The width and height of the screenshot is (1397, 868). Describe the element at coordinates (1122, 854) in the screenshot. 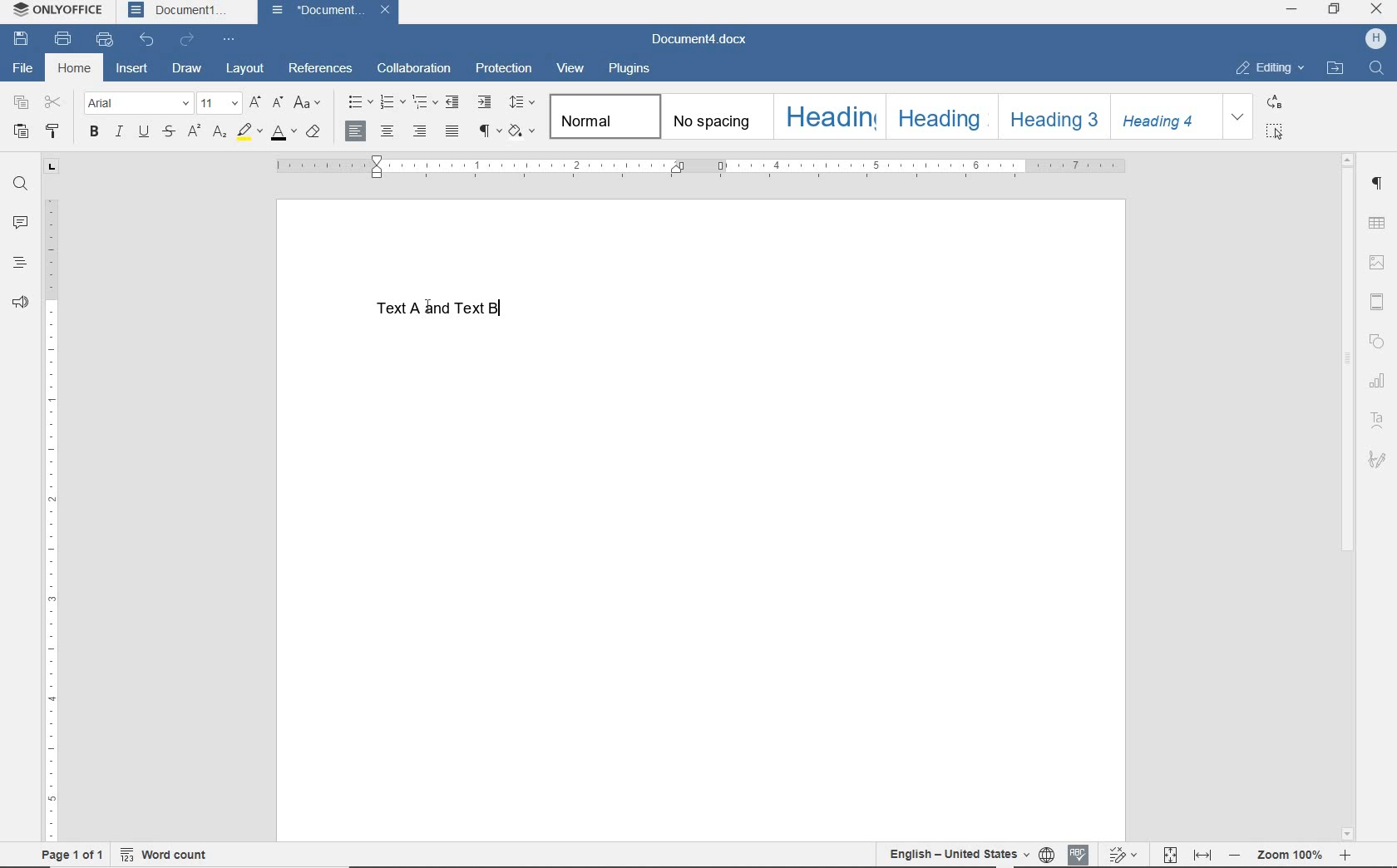

I see `TRACK CHANGES` at that location.